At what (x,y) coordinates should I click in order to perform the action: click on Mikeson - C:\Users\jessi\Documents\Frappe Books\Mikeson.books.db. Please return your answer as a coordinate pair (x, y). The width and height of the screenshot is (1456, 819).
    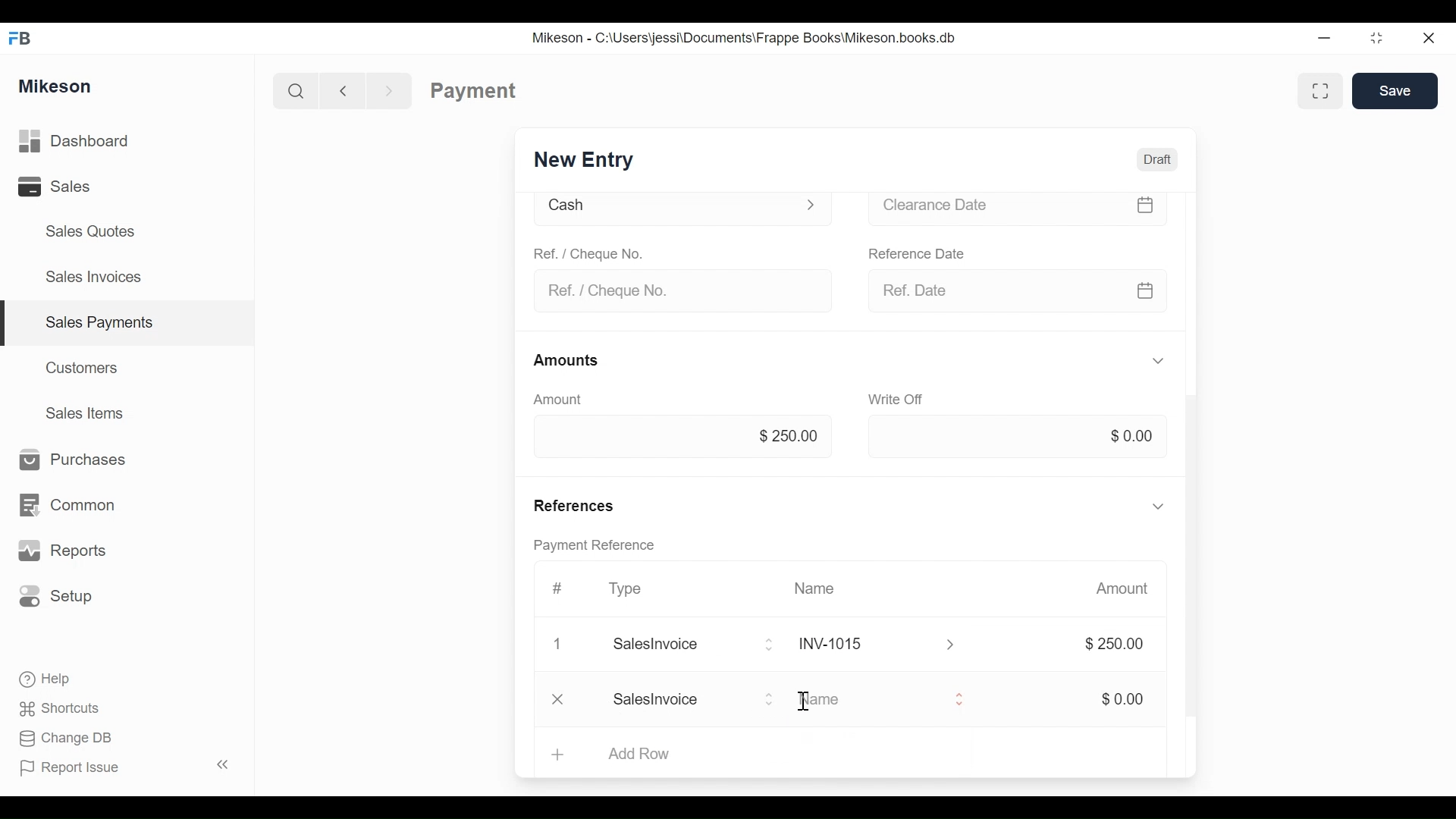
    Looking at the image, I should click on (745, 38).